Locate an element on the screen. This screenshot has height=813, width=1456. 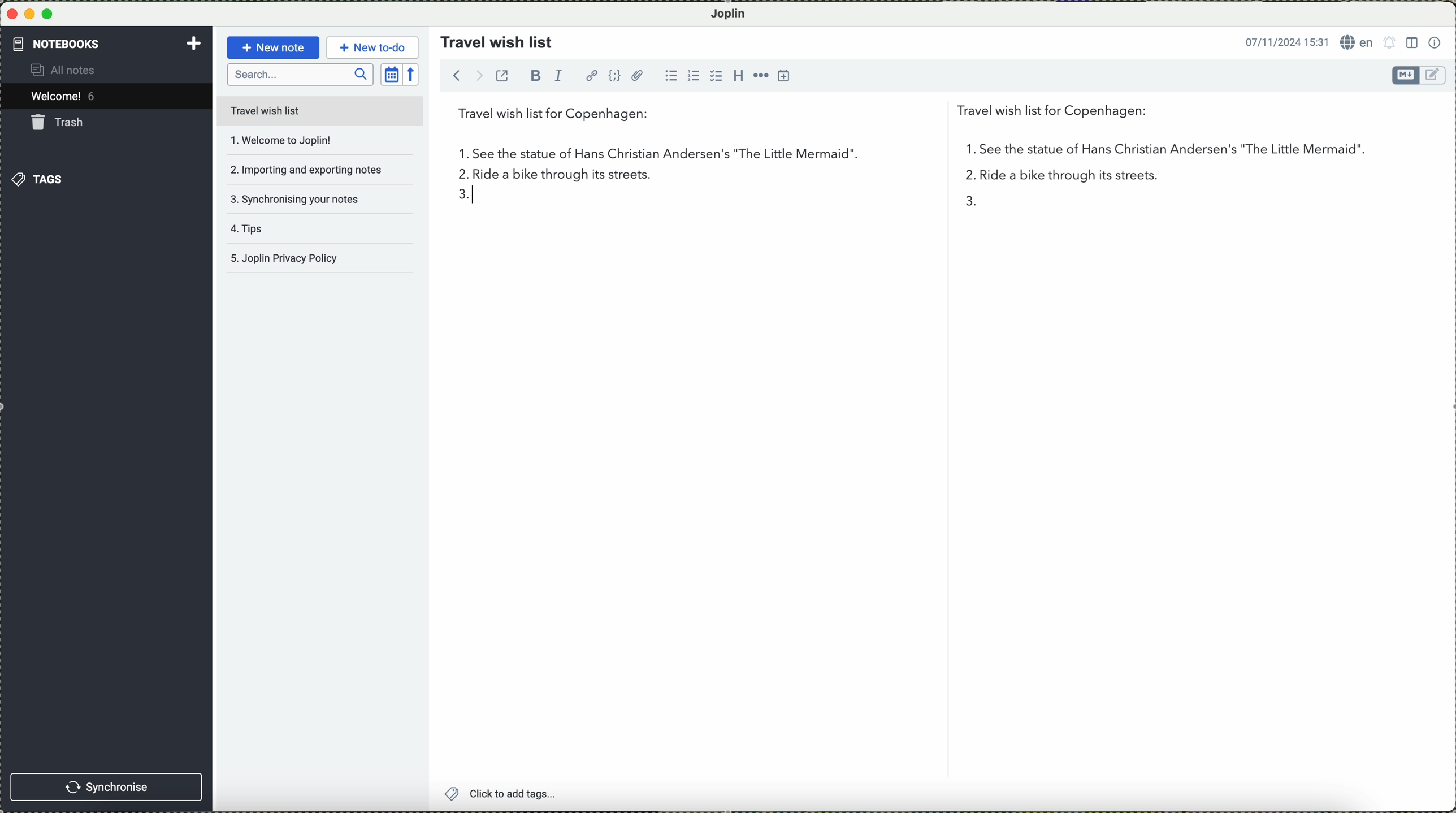
hyperlink is located at coordinates (591, 75).